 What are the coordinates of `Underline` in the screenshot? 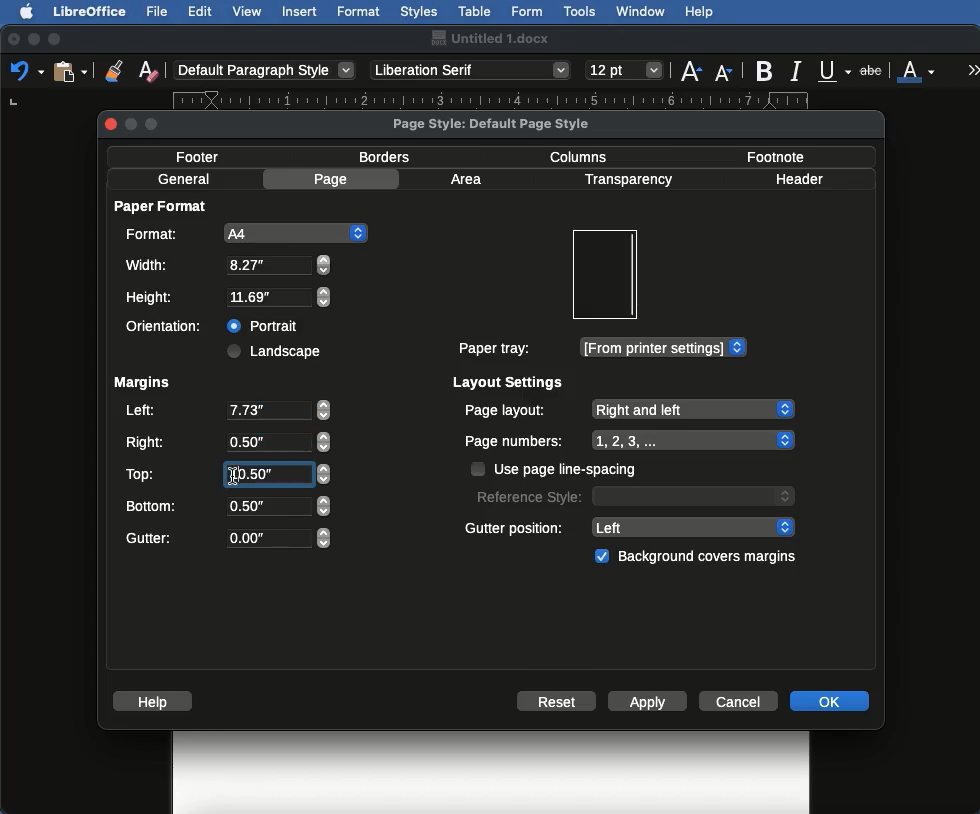 It's located at (836, 72).